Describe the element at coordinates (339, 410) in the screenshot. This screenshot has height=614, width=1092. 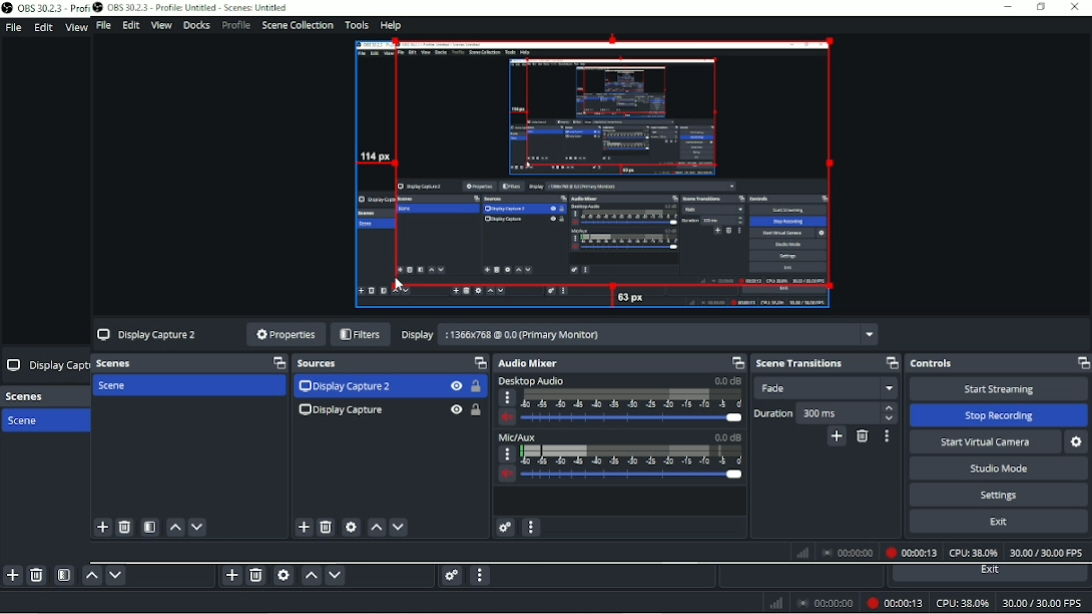
I see `Display Capture` at that location.